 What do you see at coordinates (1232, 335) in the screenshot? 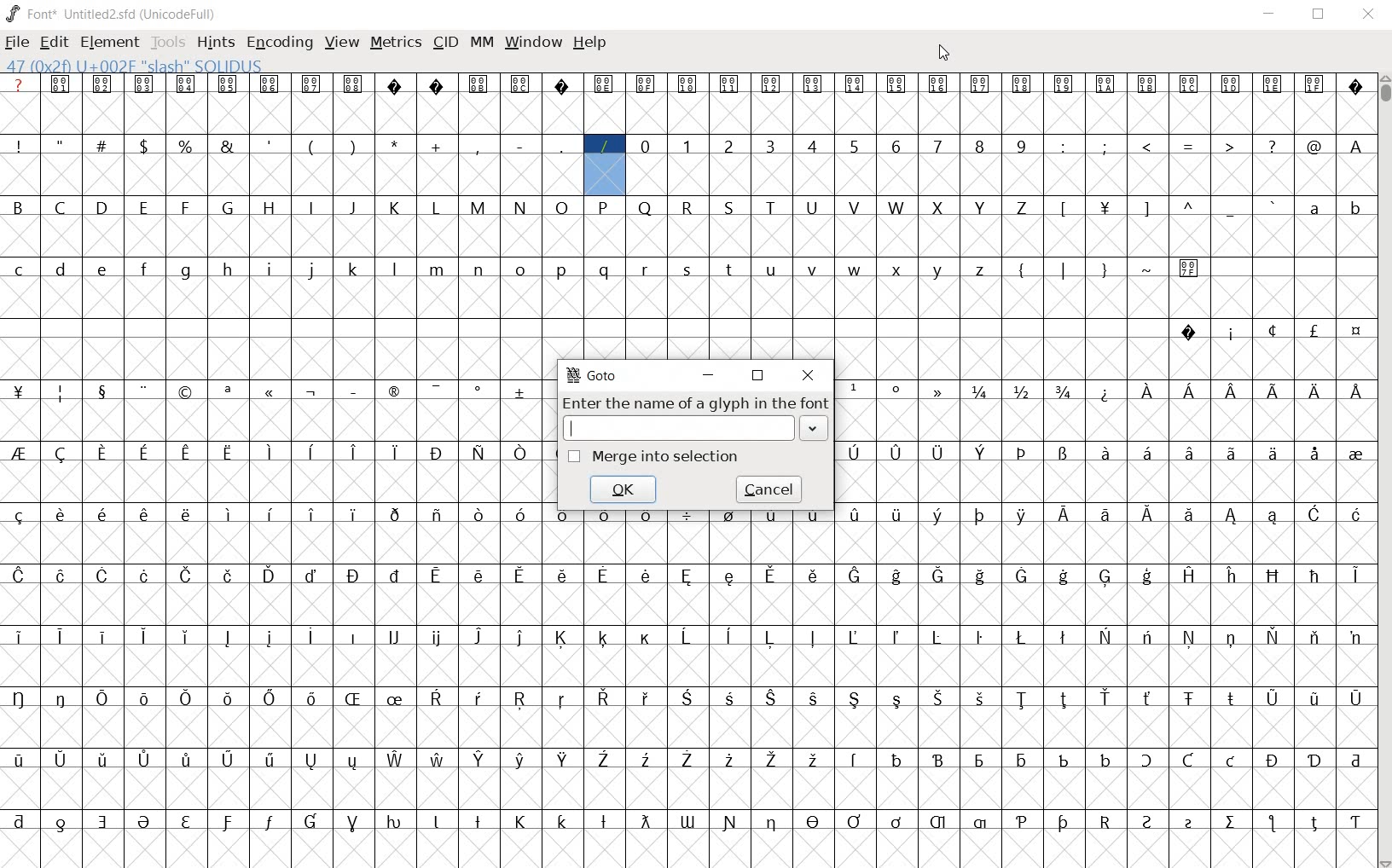
I see `glyph` at bounding box center [1232, 335].